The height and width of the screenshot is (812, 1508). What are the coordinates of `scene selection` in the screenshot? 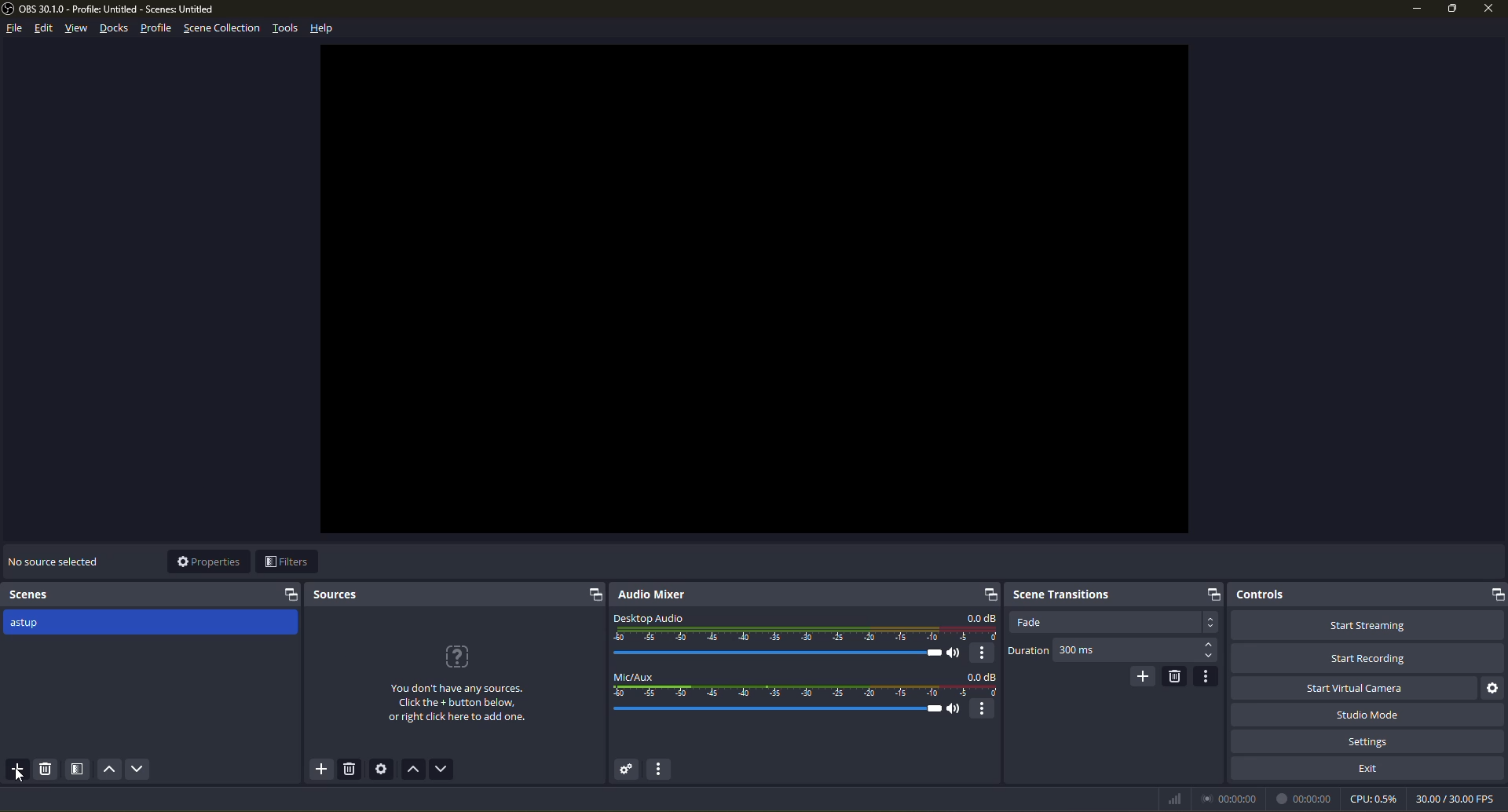 It's located at (225, 29).